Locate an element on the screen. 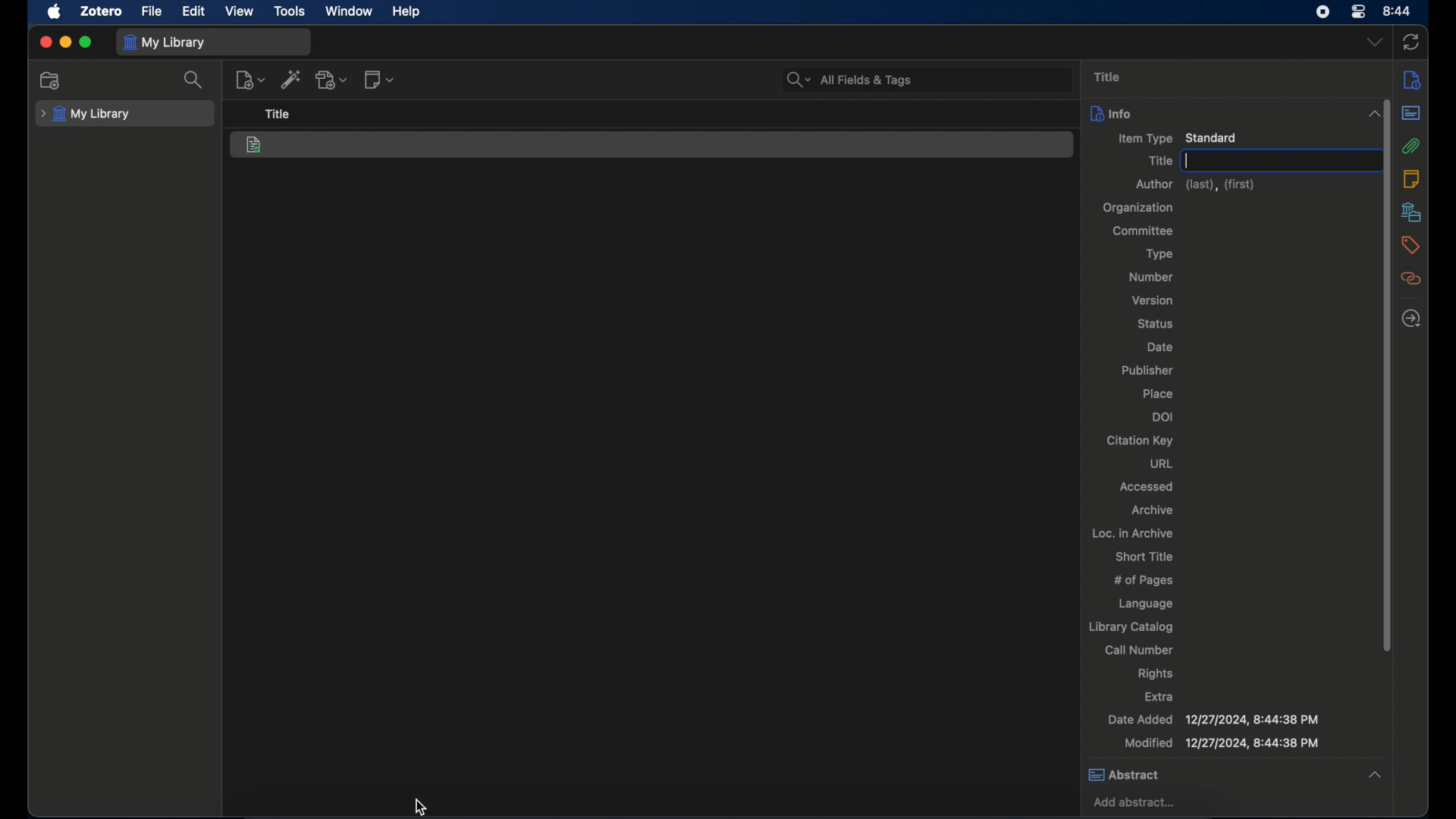 The height and width of the screenshot is (819, 1456). place is located at coordinates (1160, 392).